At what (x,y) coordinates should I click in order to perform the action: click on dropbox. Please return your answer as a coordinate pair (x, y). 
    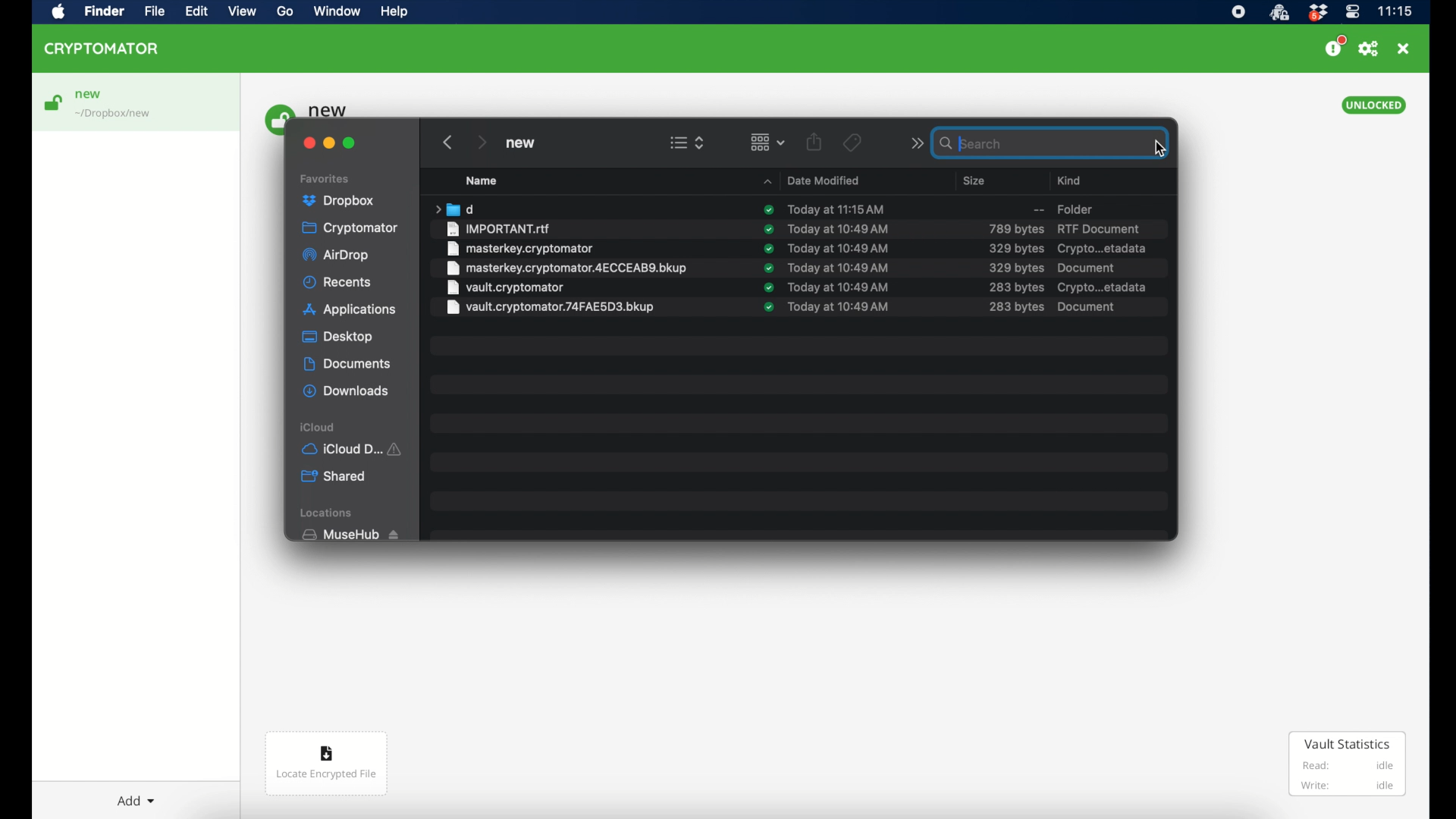
    Looking at the image, I should click on (1317, 13).